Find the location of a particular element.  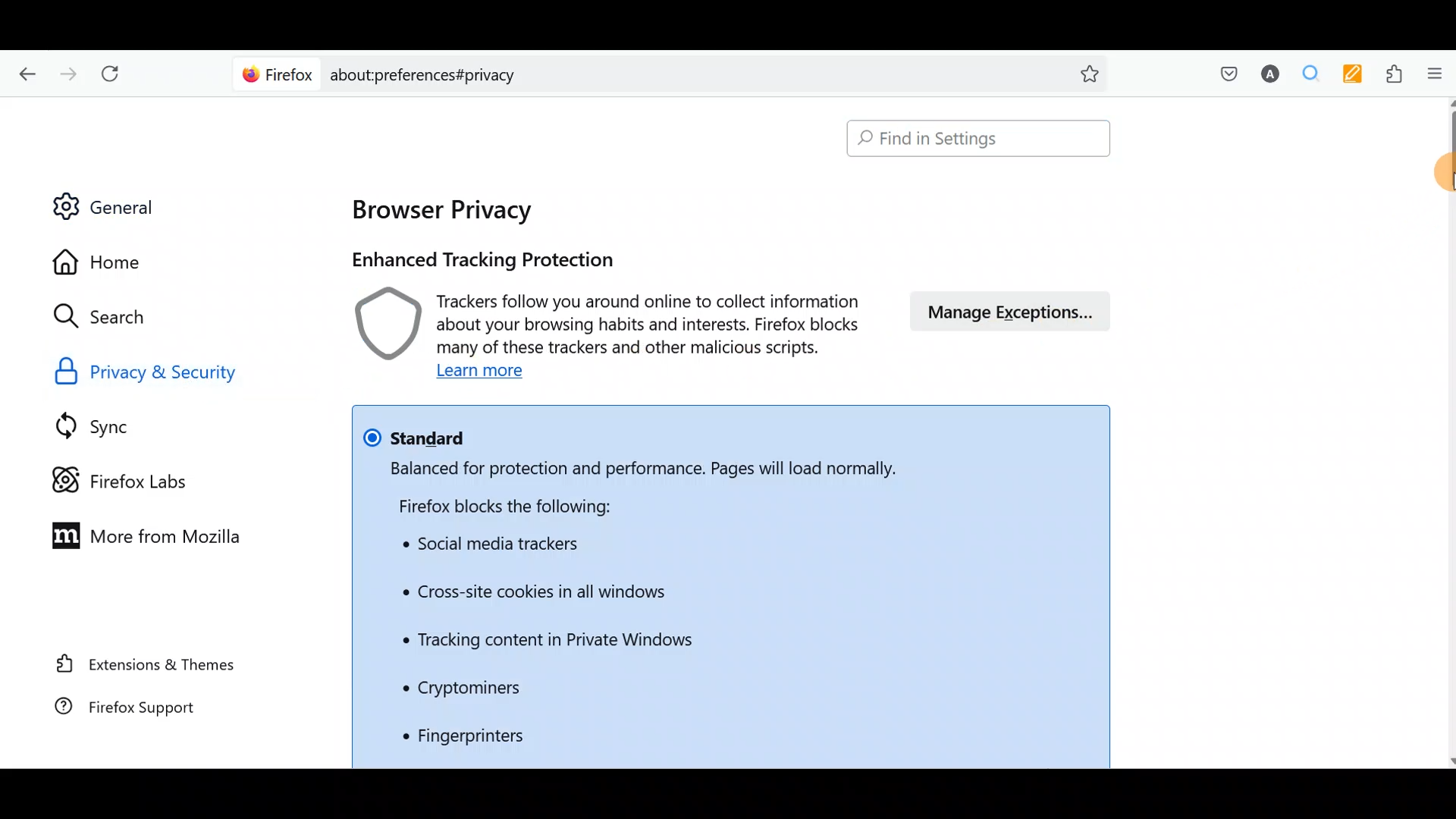

Privacy & security is located at coordinates (184, 370).